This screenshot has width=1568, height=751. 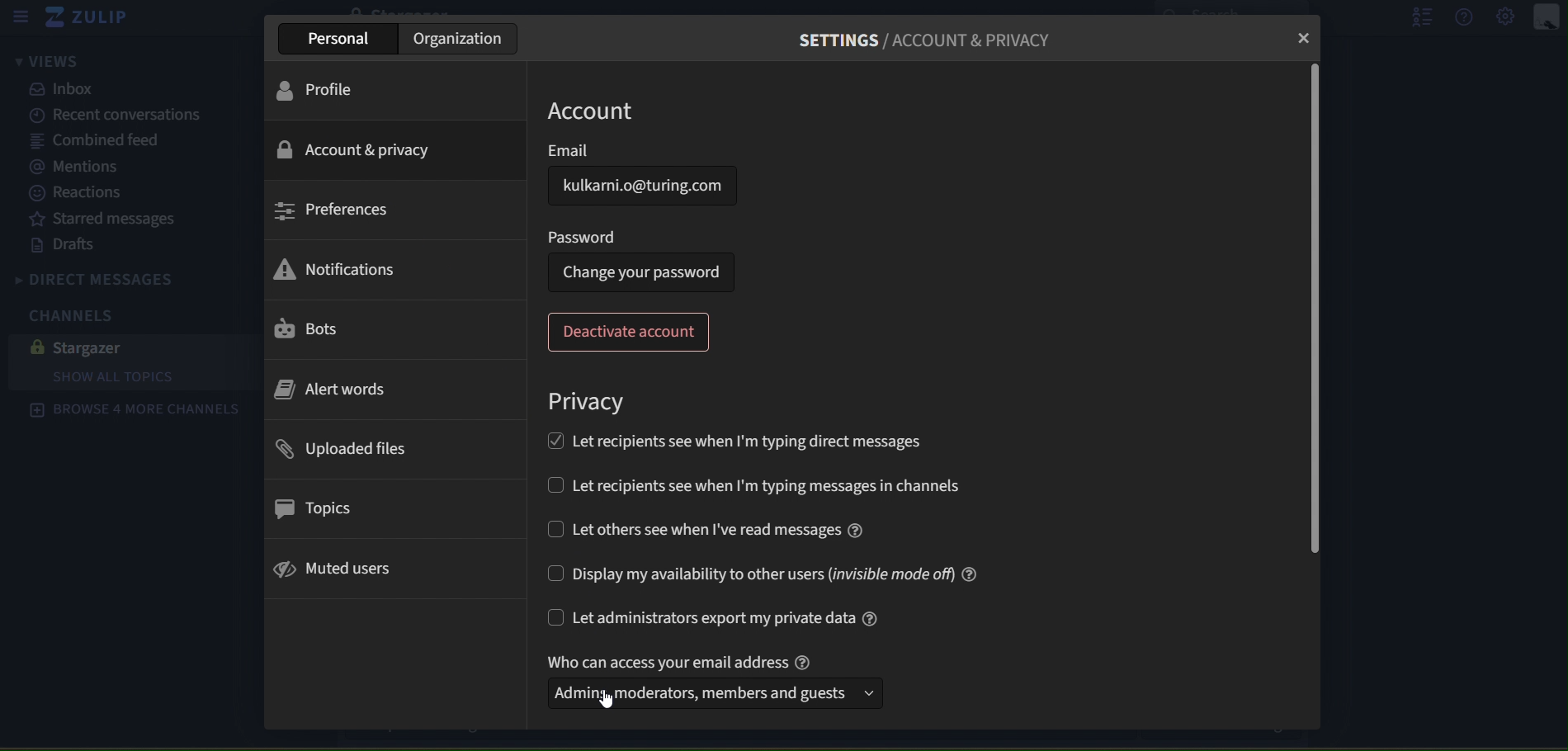 What do you see at coordinates (310, 508) in the screenshot?
I see `topics` at bounding box center [310, 508].